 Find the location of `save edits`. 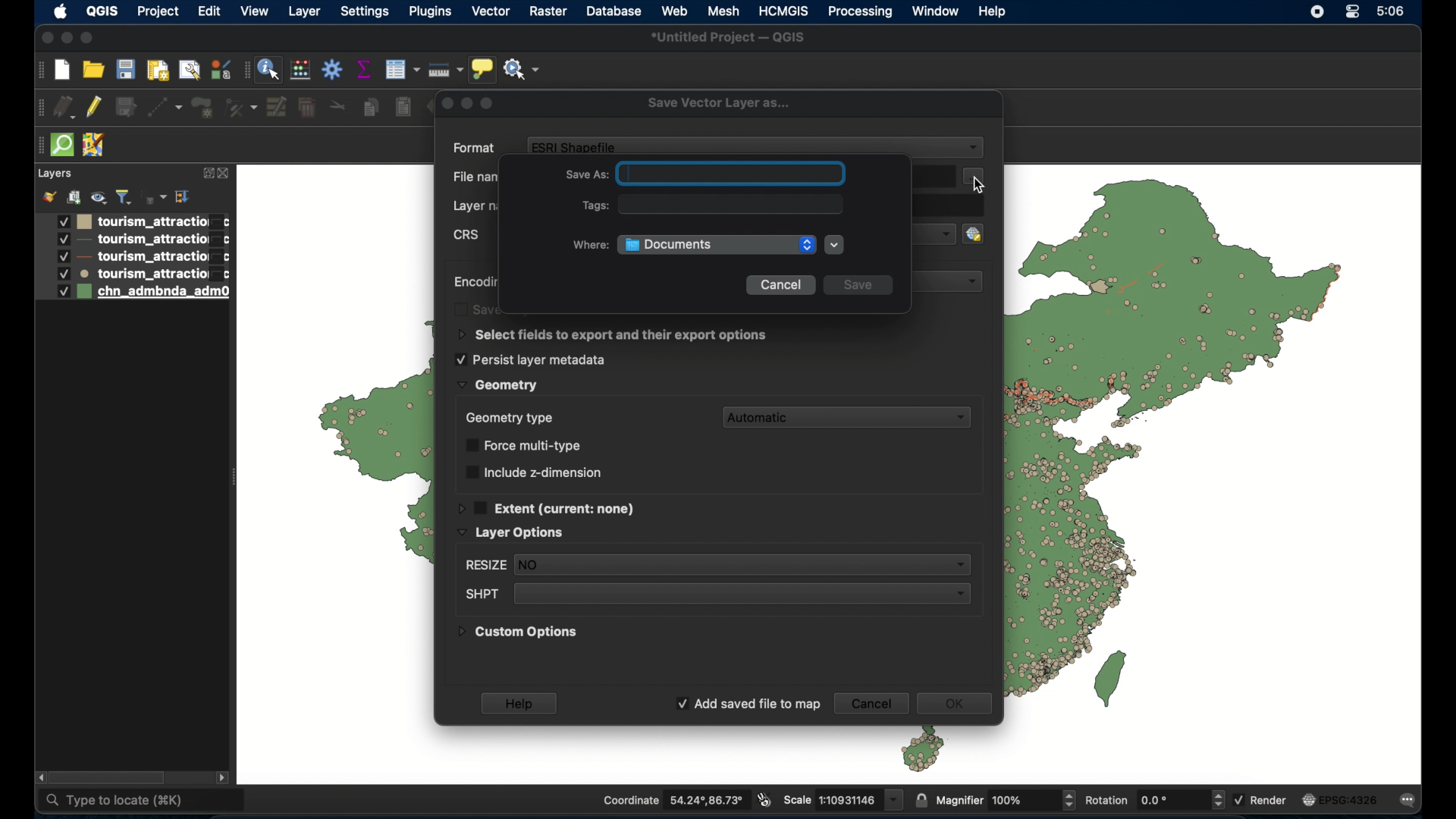

save edits is located at coordinates (127, 107).